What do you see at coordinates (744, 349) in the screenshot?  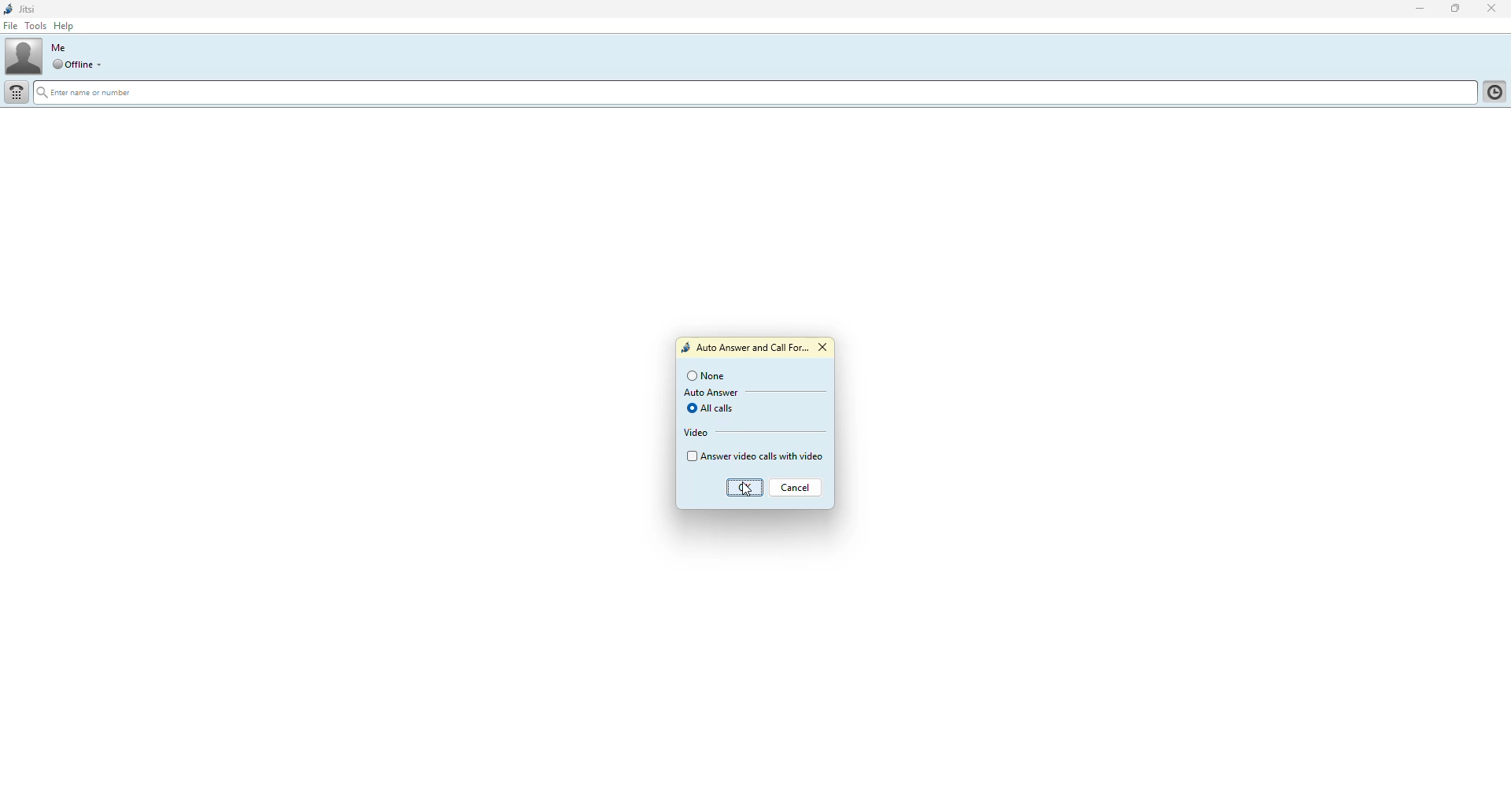 I see `auto answer call forwarding` at bounding box center [744, 349].